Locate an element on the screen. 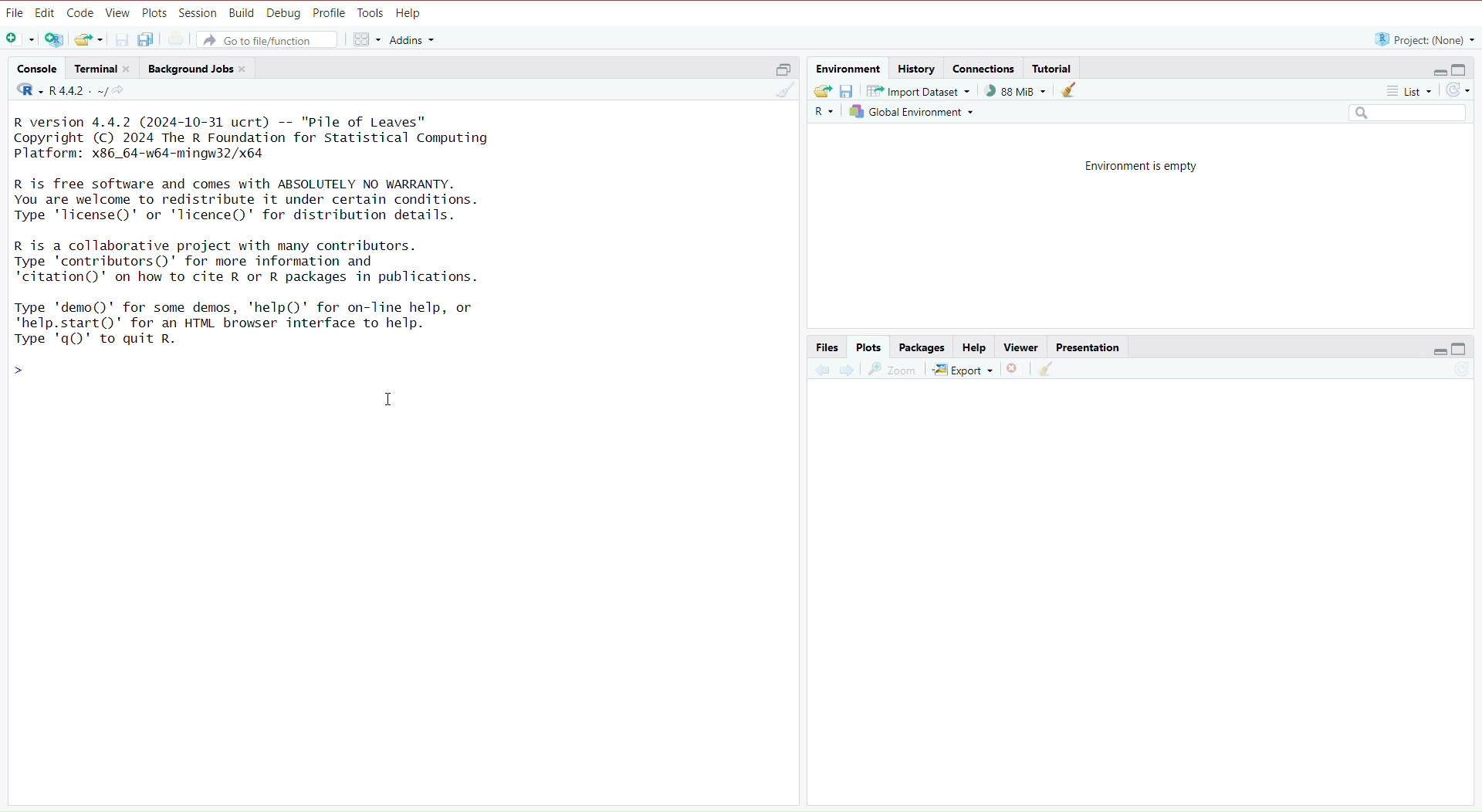  collapse is located at coordinates (1463, 70).